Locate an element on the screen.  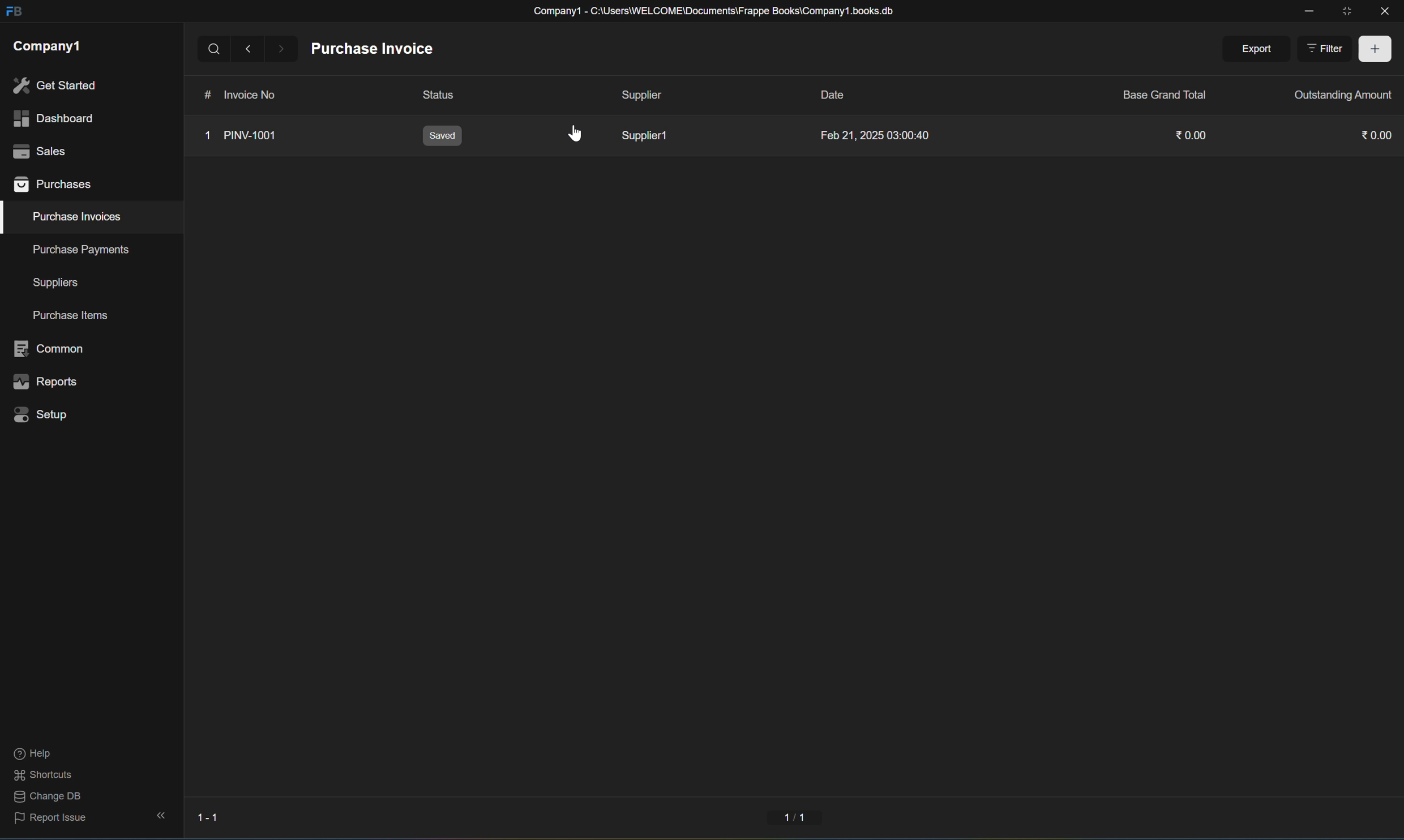
 is located at coordinates (836, 95).